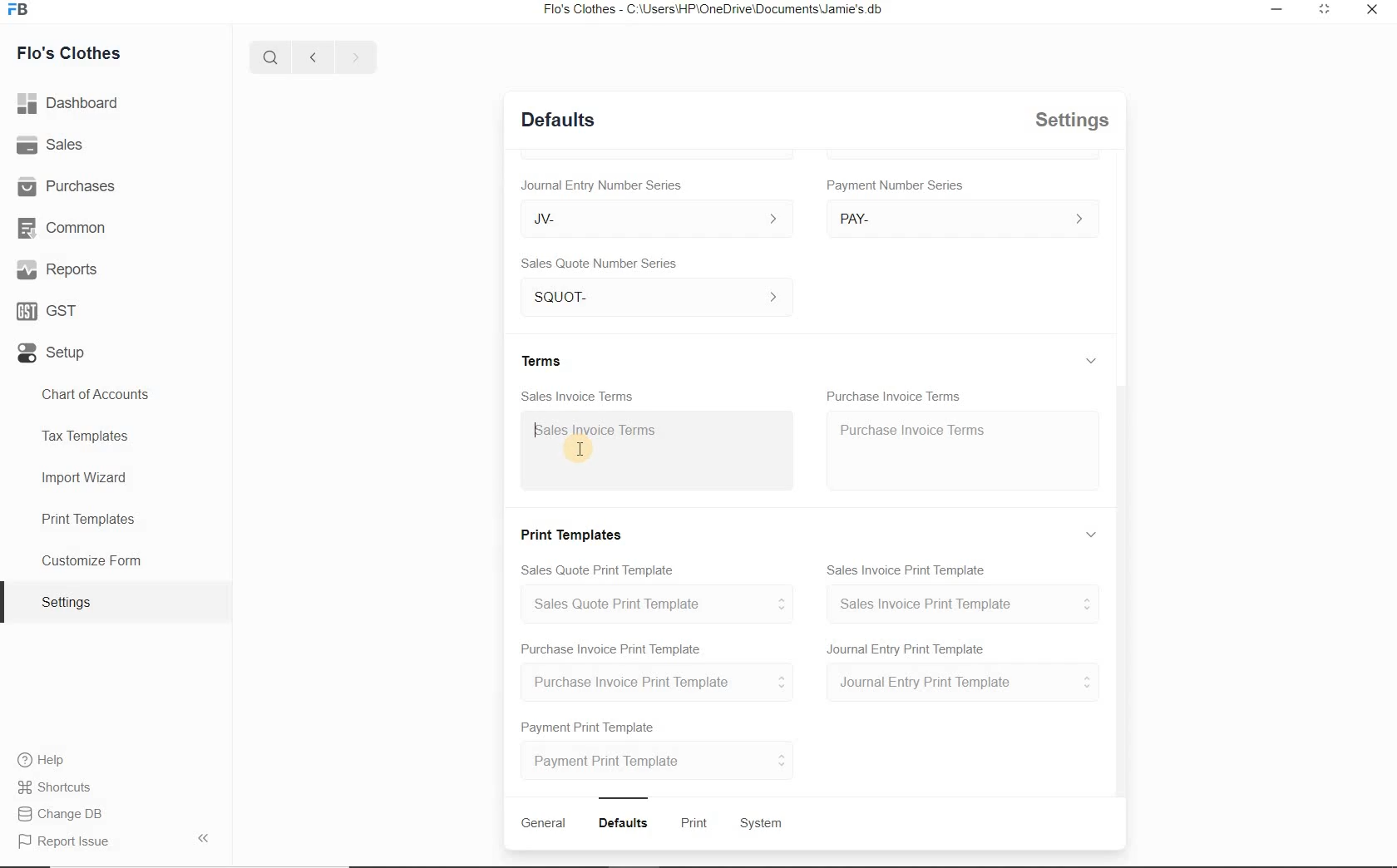 The image size is (1397, 868). What do you see at coordinates (697, 824) in the screenshot?
I see `Print` at bounding box center [697, 824].